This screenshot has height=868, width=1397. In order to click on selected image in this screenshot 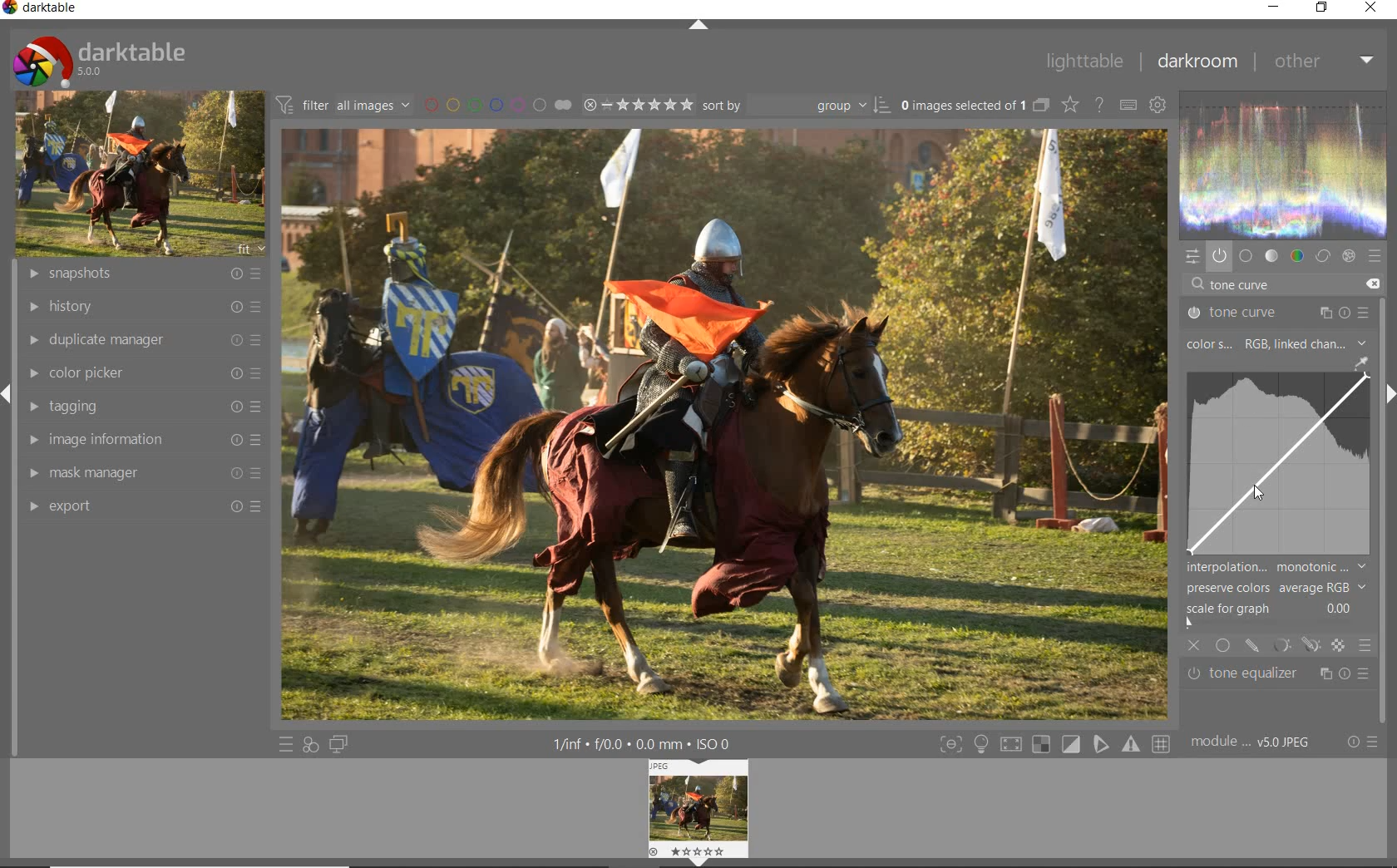, I will do `click(722, 423)`.